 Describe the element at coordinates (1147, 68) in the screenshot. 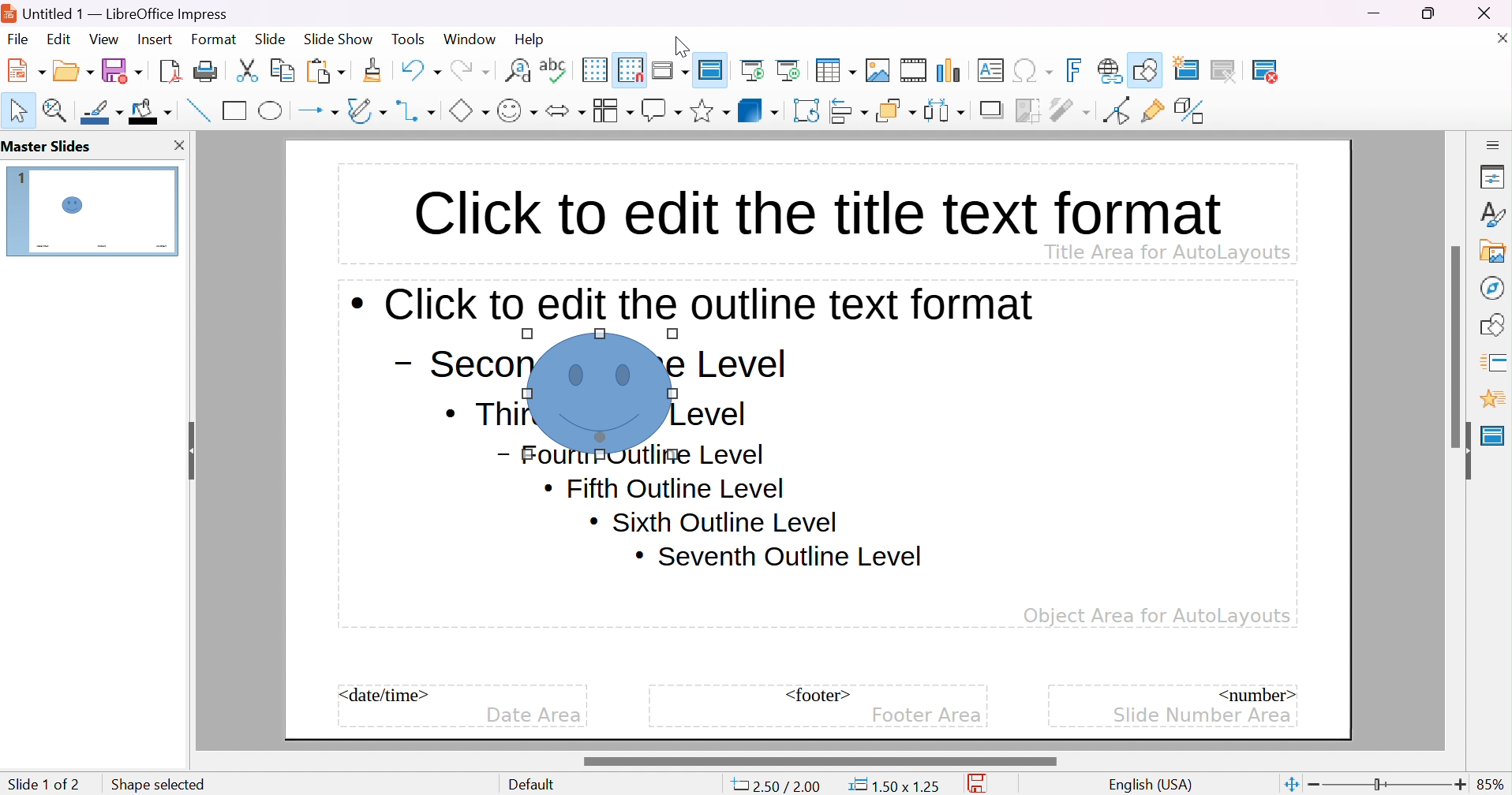

I see `show draw functions` at that location.